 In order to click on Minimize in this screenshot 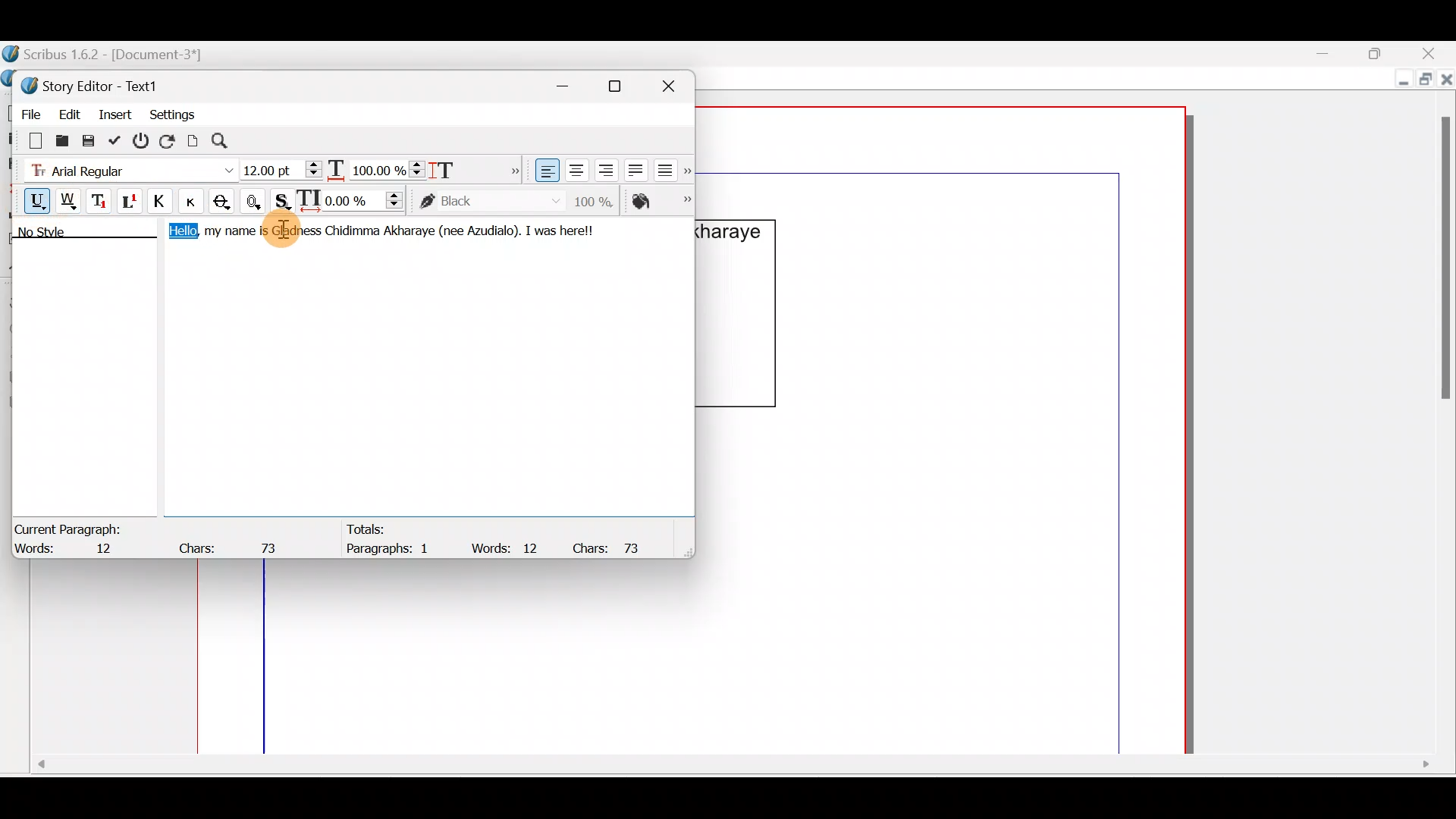, I will do `click(571, 83)`.